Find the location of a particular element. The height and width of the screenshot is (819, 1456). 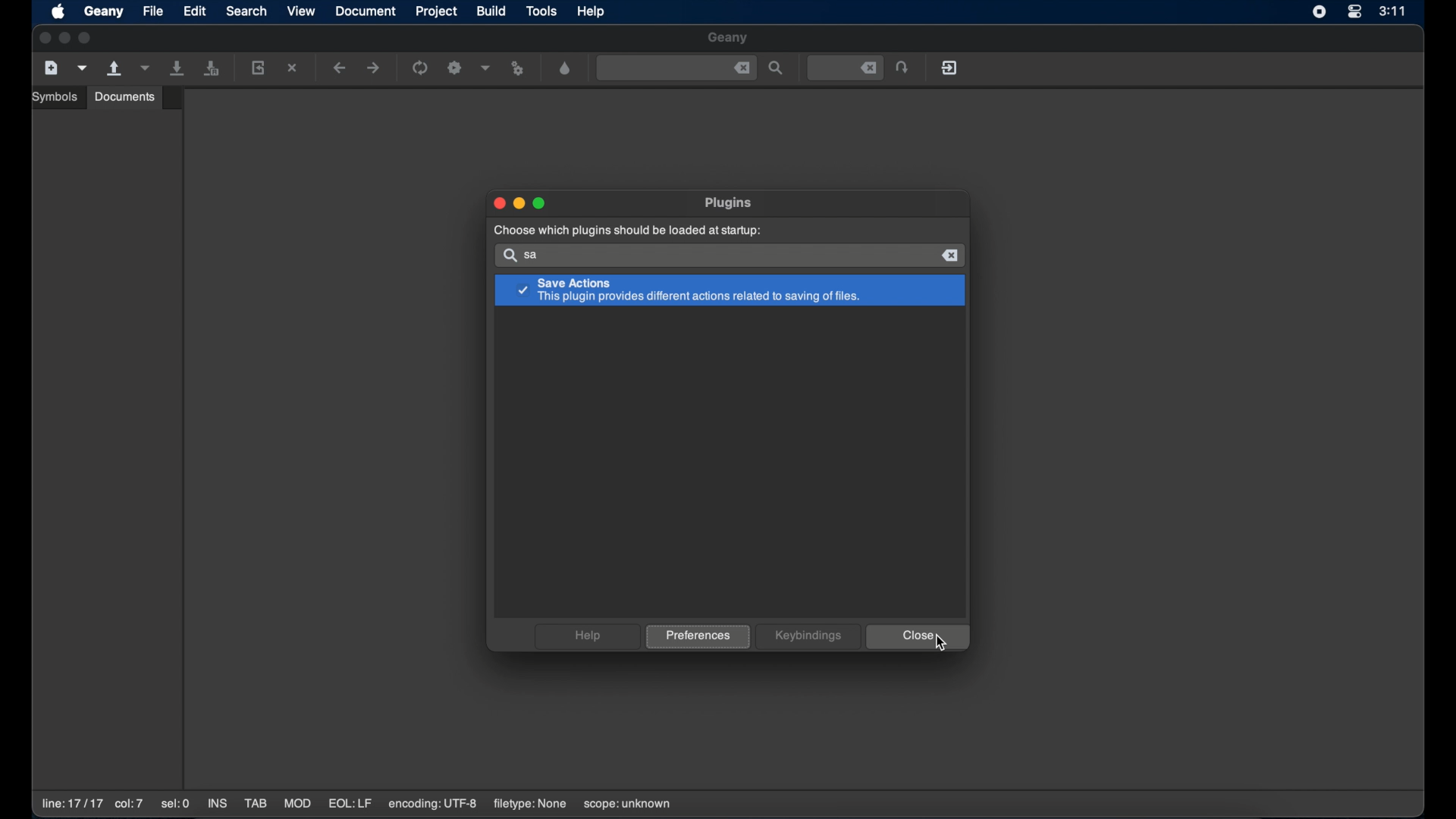

documents is located at coordinates (125, 96).